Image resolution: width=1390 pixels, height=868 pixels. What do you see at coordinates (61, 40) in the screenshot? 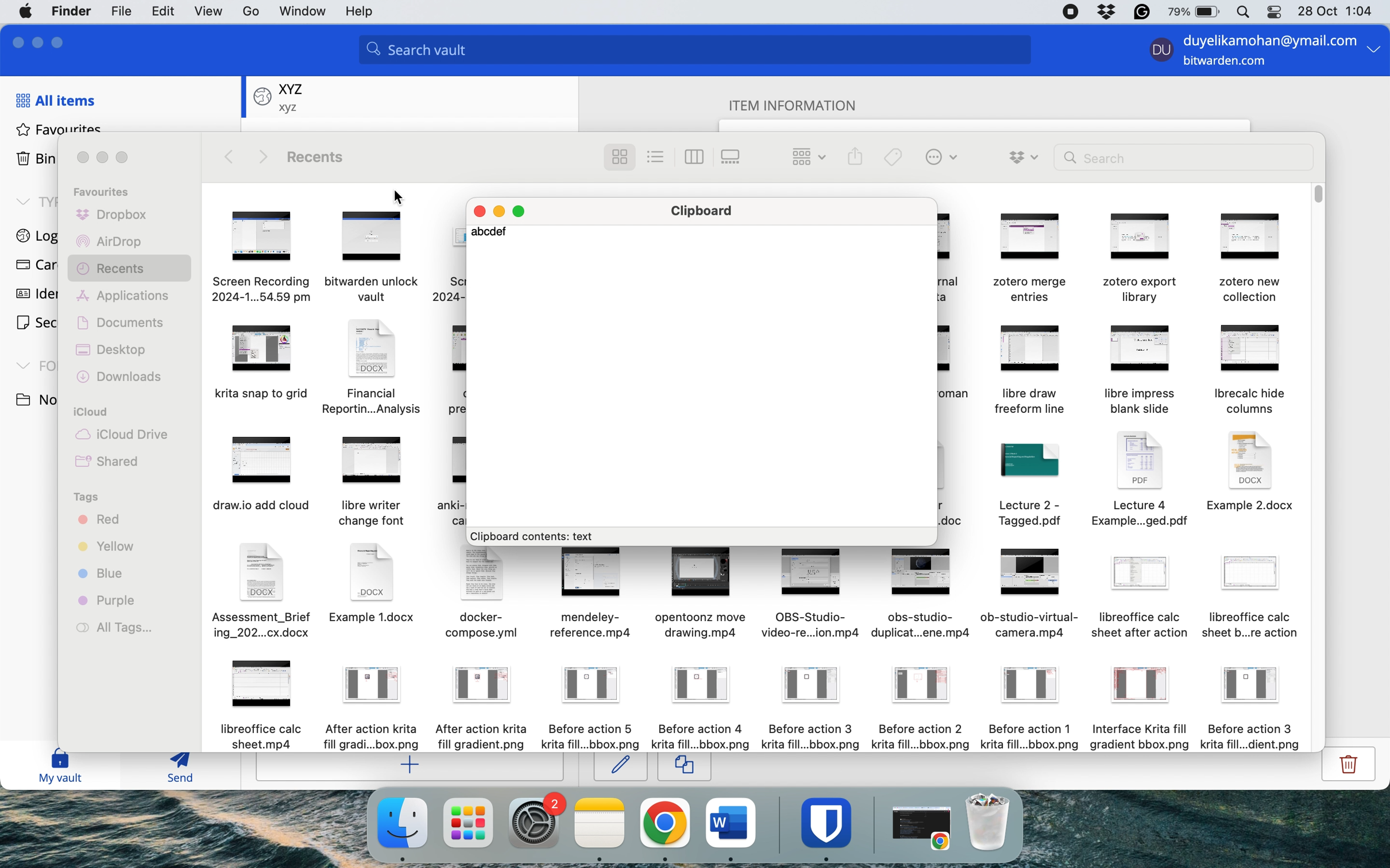
I see `maximise` at bounding box center [61, 40].